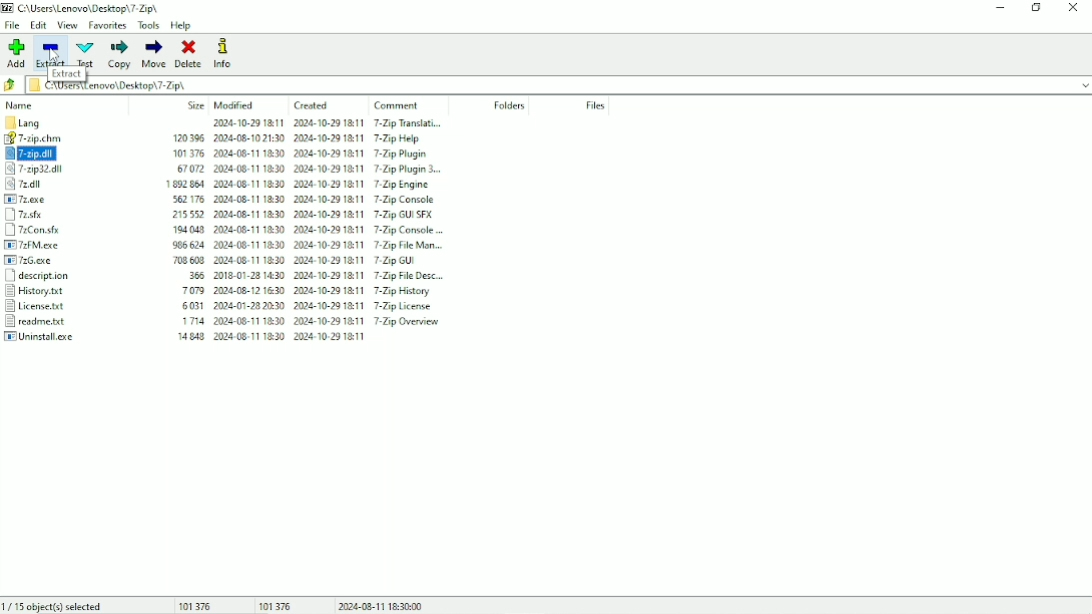 This screenshot has height=614, width=1092. Describe the element at coordinates (54, 54) in the screenshot. I see `Cursor` at that location.